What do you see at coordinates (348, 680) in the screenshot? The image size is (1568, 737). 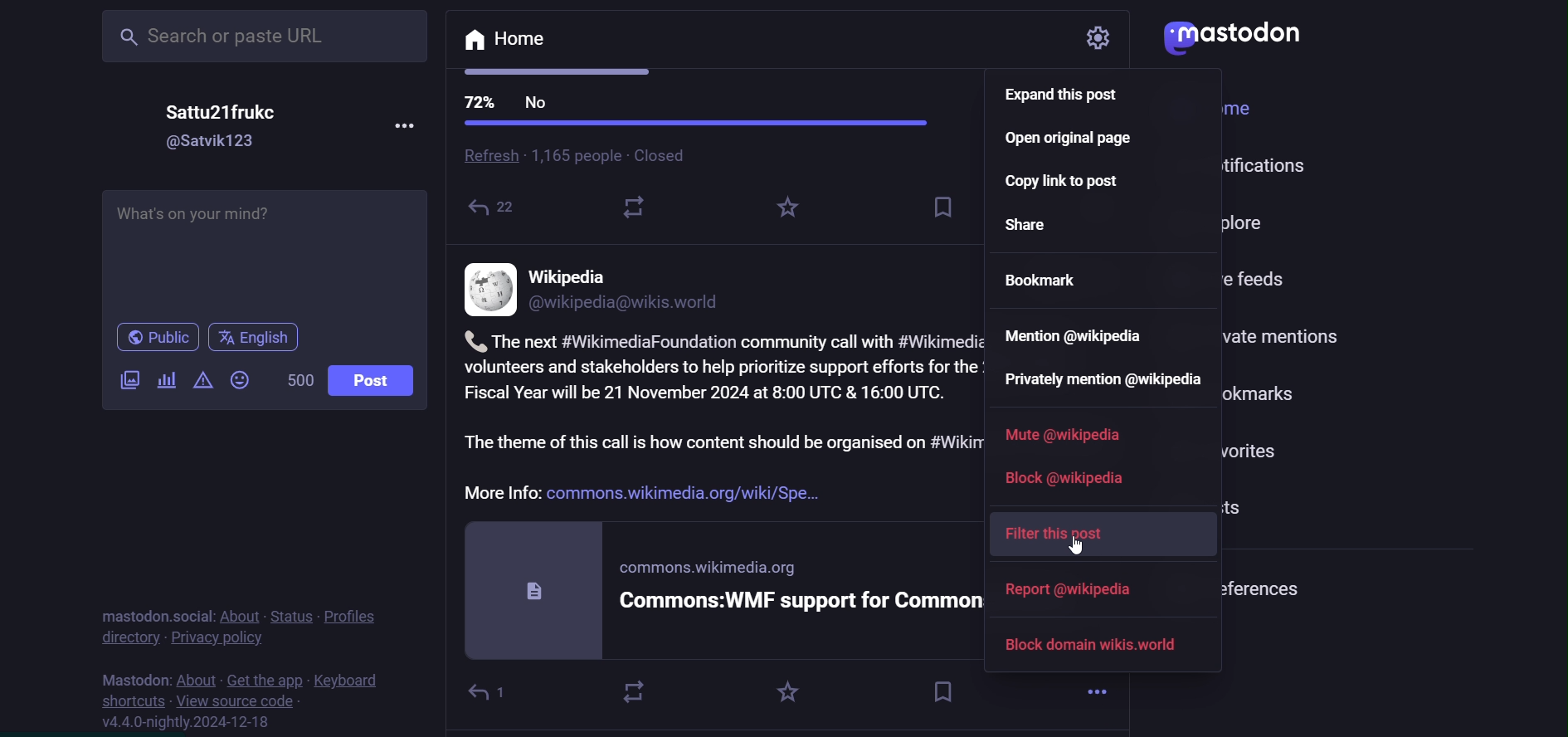 I see `keyboard` at bounding box center [348, 680].